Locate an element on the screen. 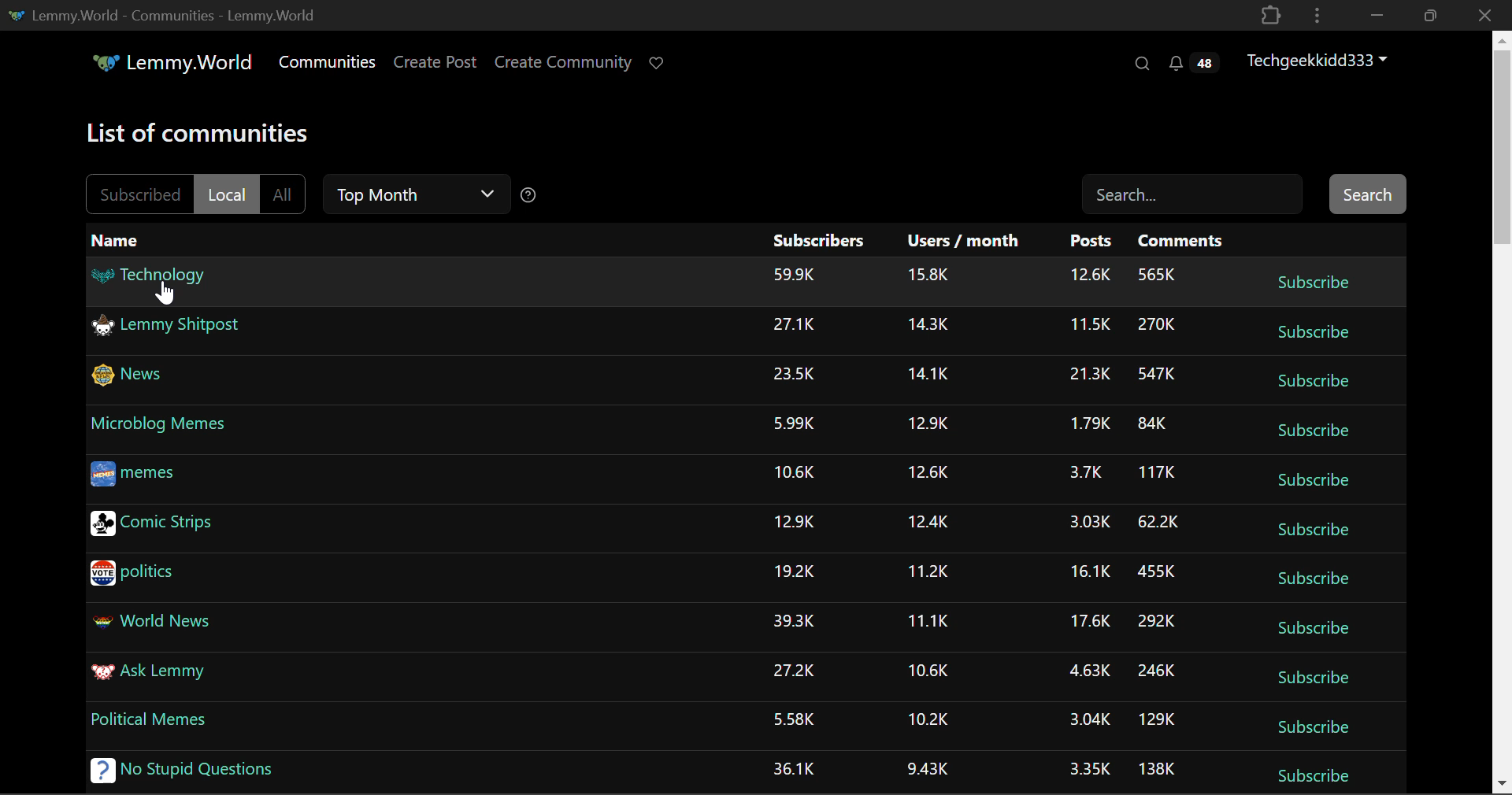 This screenshot has height=795, width=1512. Subscribe is located at coordinates (1315, 777).